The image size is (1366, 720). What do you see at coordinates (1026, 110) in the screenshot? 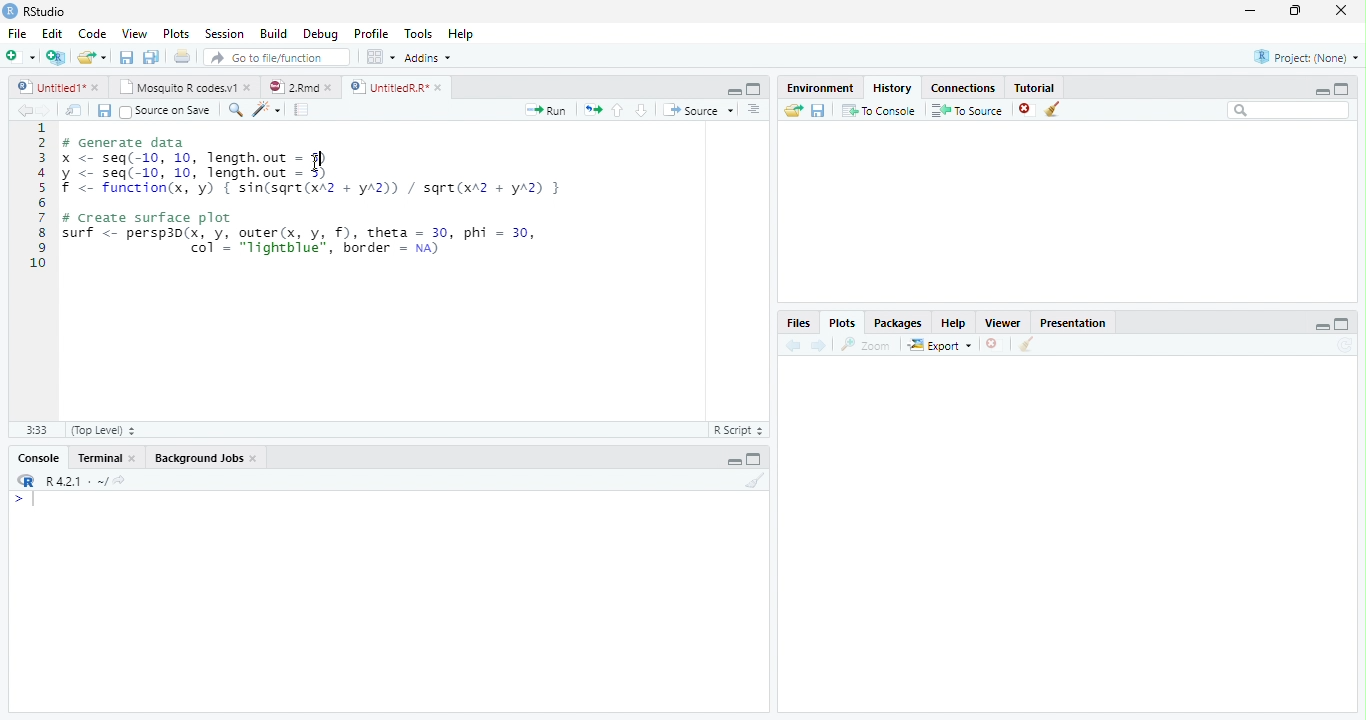
I see `Remove the selected history entries` at bounding box center [1026, 110].